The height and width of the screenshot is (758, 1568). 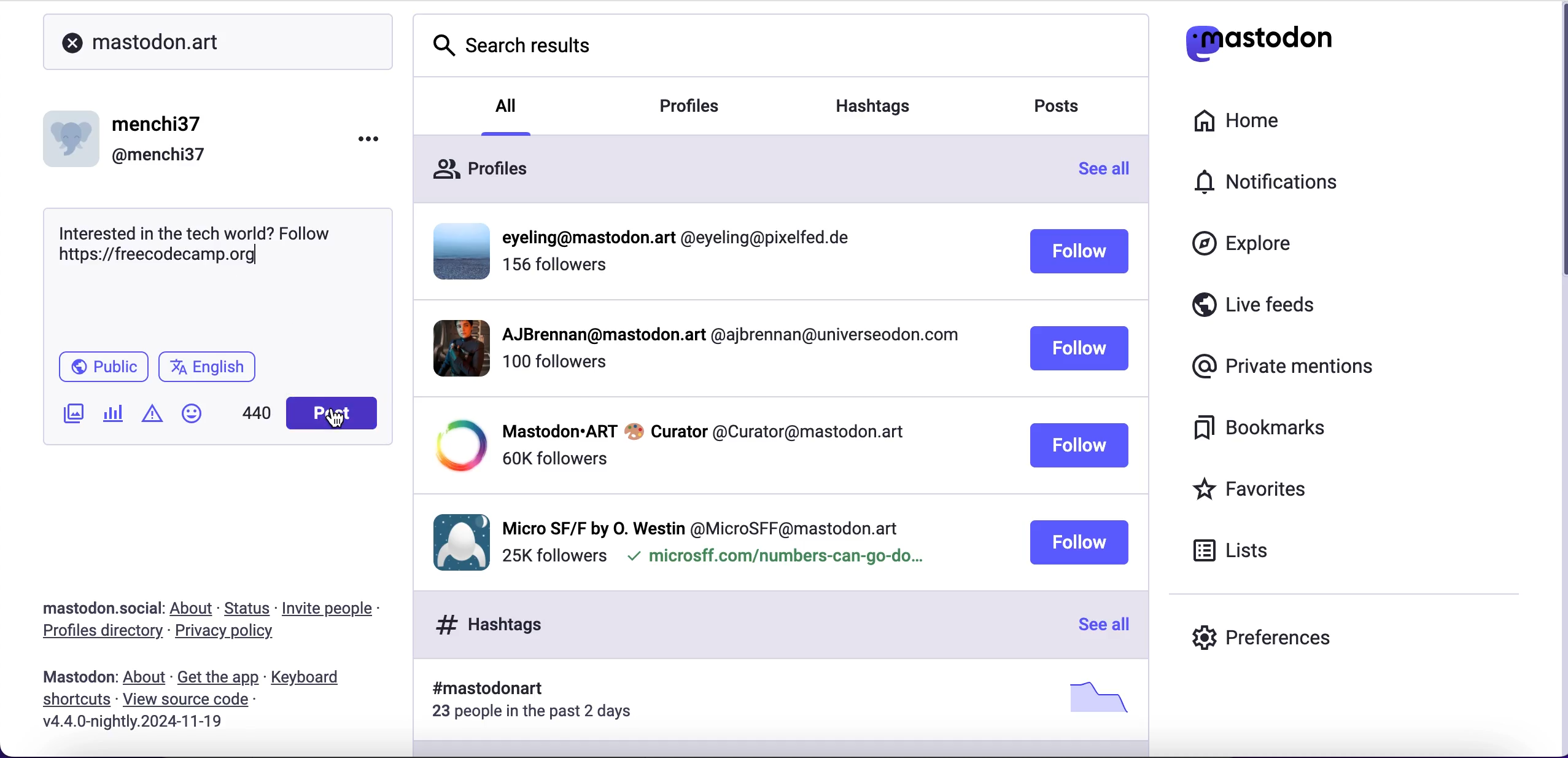 I want to click on privacy policy, so click(x=233, y=635).